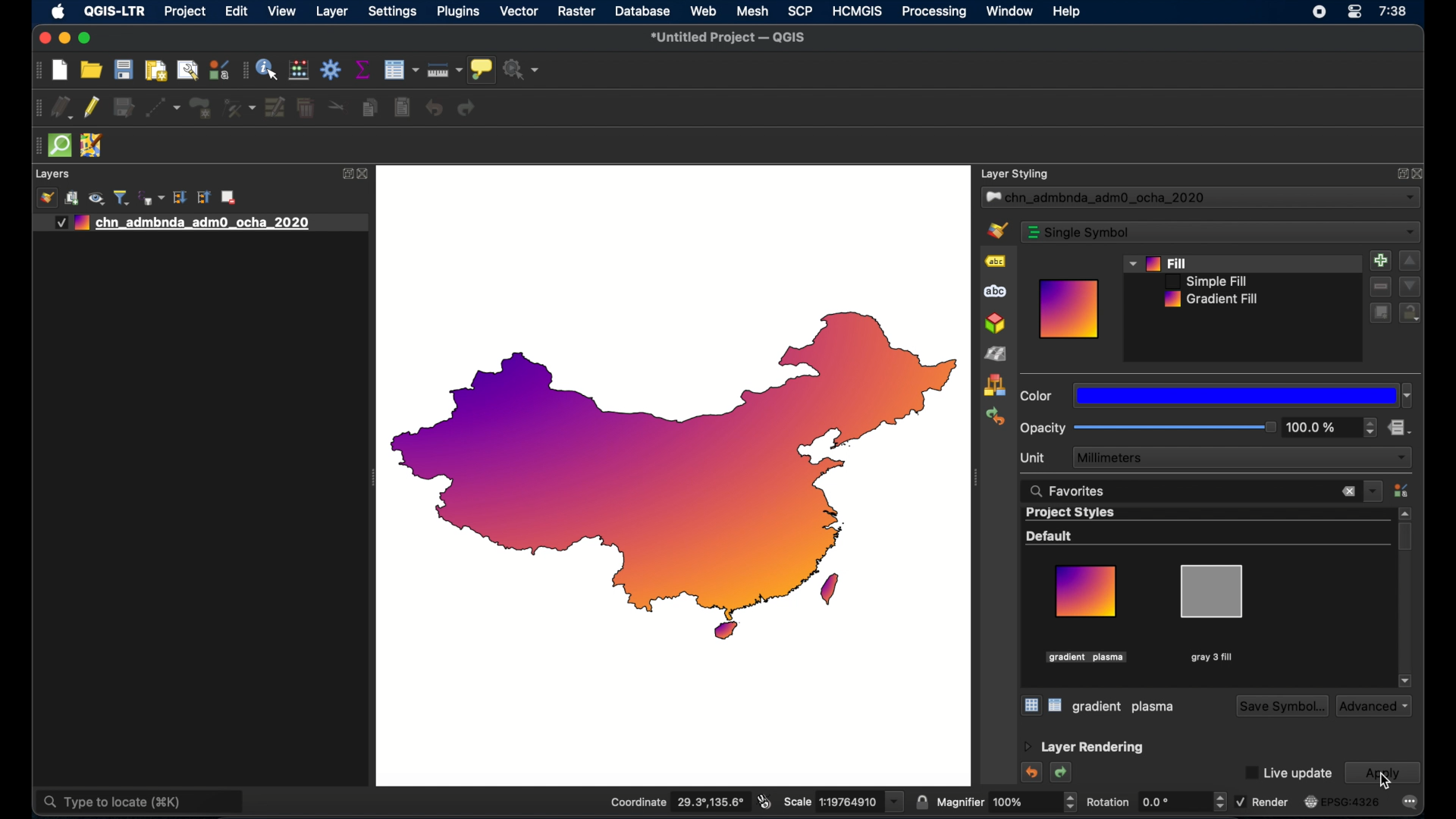 Image resolution: width=1456 pixels, height=819 pixels. Describe the element at coordinates (1314, 427) in the screenshot. I see `opacity level` at that location.